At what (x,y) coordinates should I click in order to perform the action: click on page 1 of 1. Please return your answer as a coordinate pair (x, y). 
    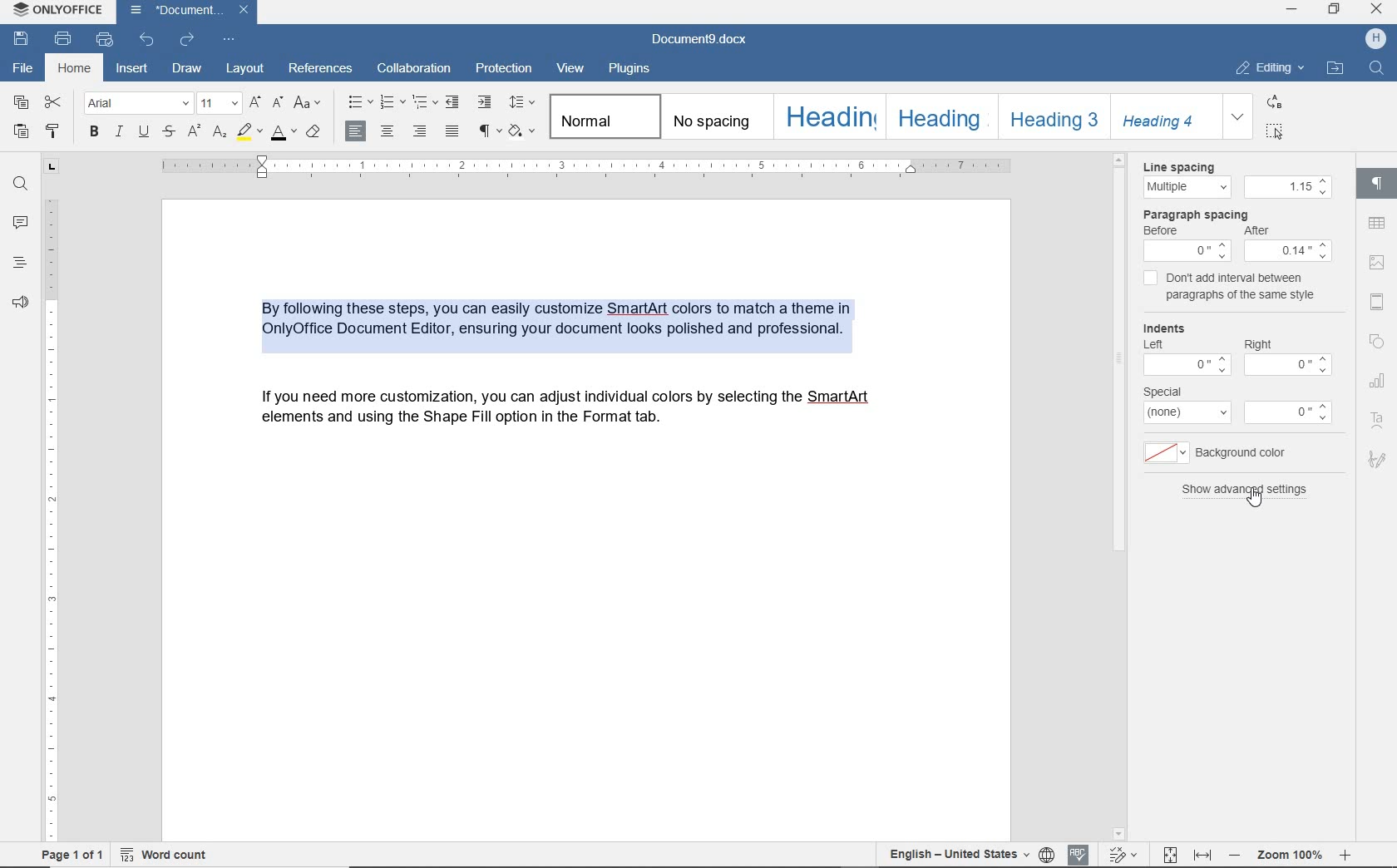
    Looking at the image, I should click on (73, 855).